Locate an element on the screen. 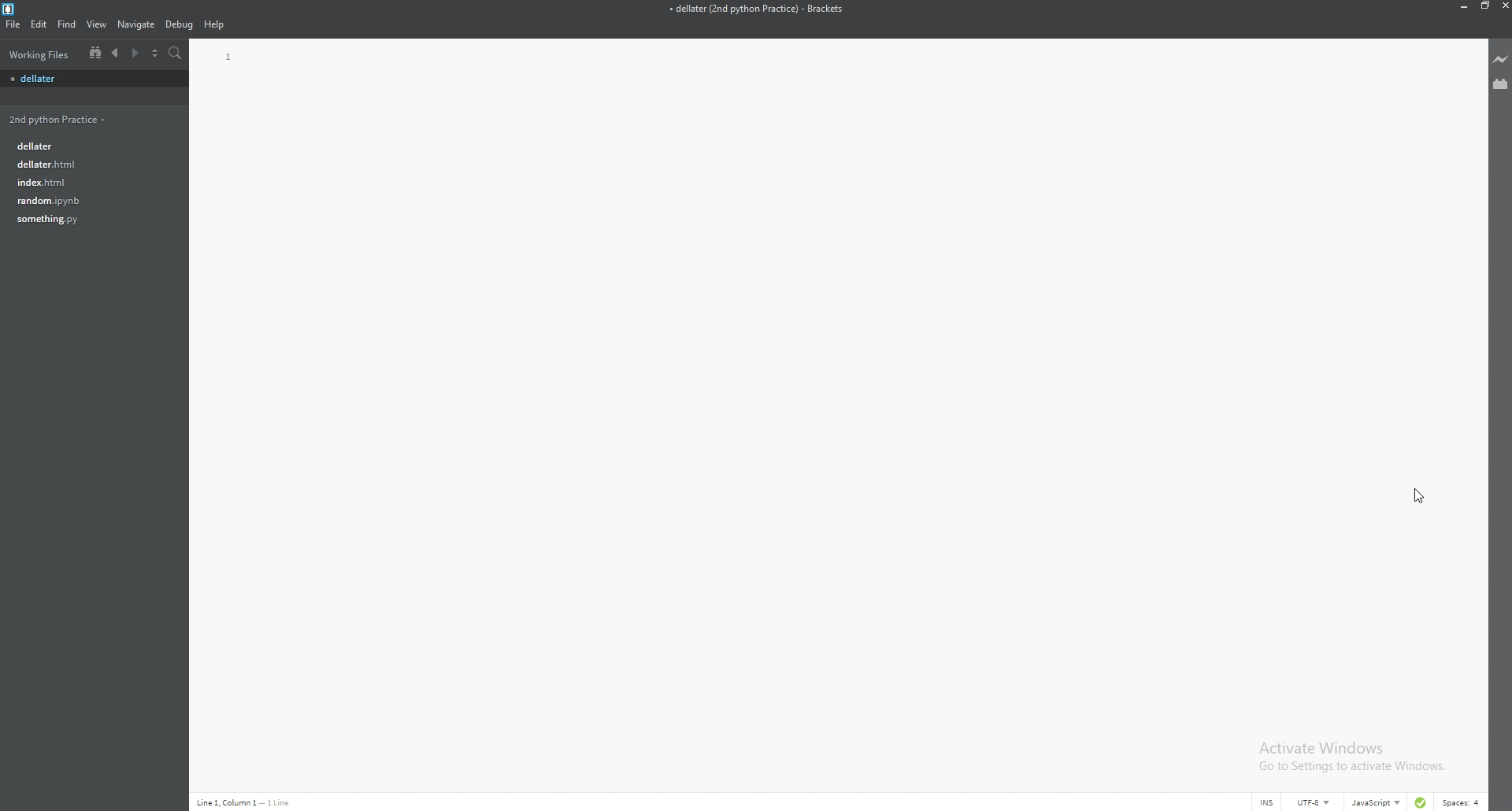  file name is located at coordinates (756, 9).